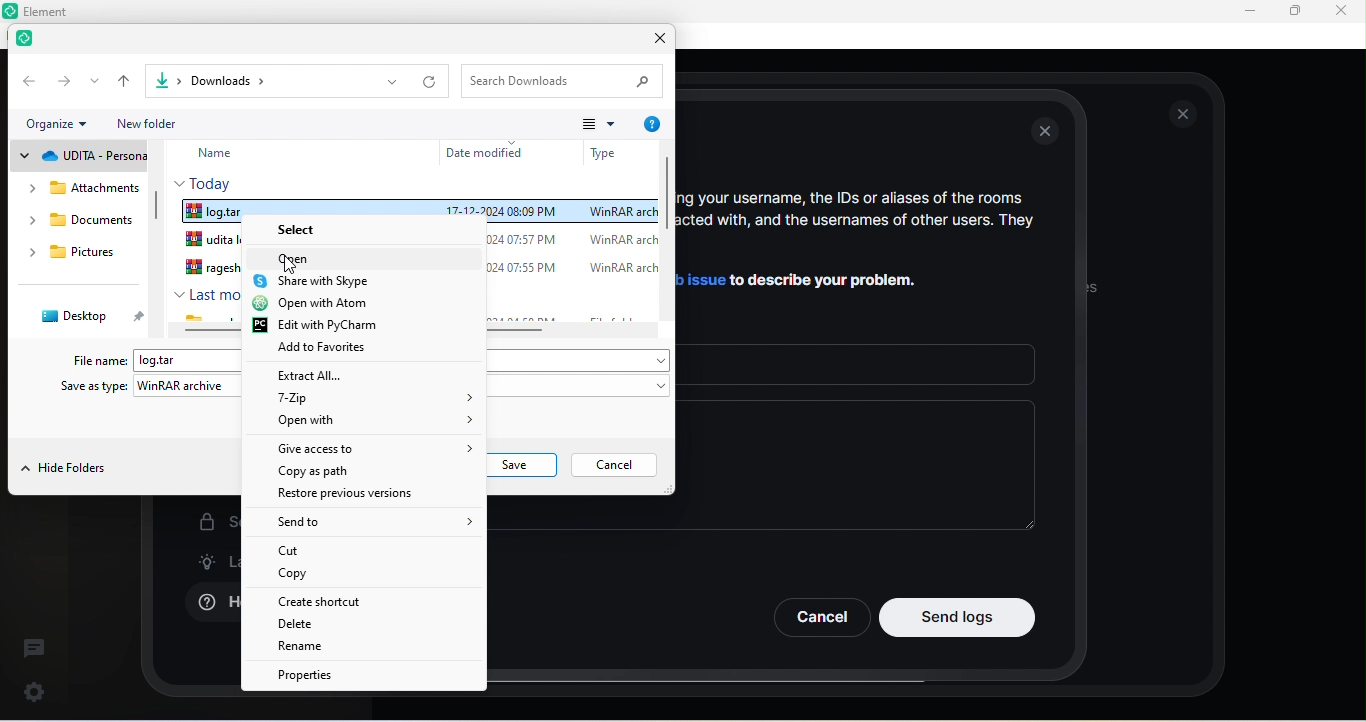  I want to click on forward, so click(64, 80).